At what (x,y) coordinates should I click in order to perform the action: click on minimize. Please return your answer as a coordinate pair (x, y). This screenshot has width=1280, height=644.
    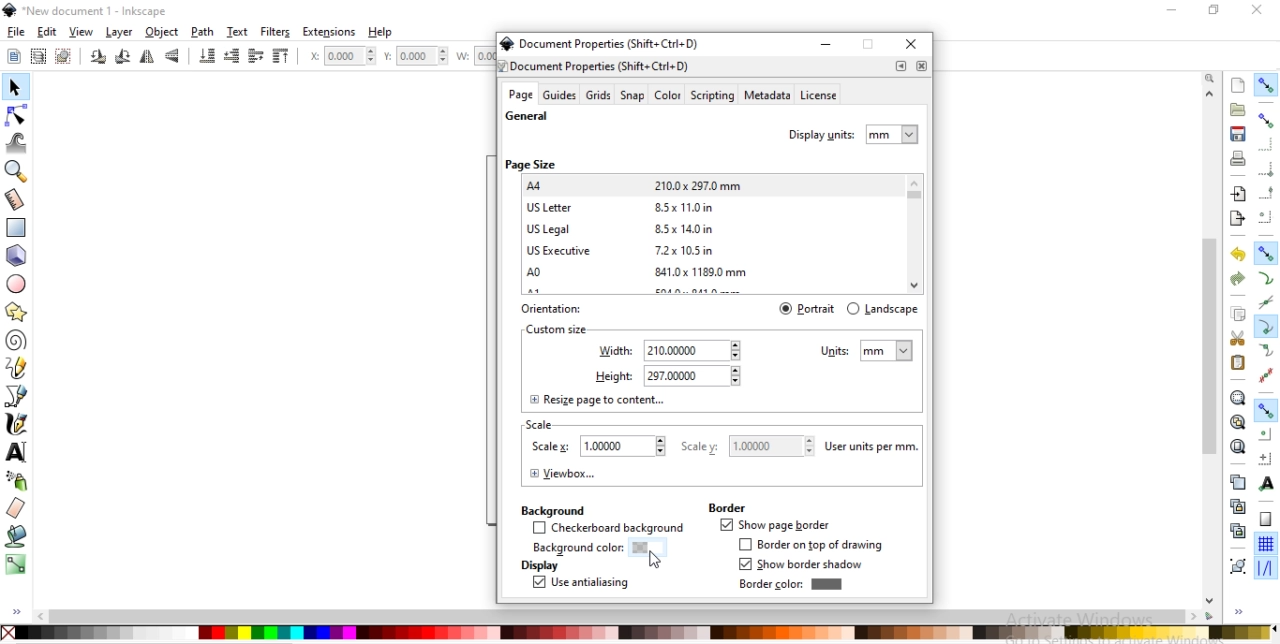
    Looking at the image, I should click on (826, 44).